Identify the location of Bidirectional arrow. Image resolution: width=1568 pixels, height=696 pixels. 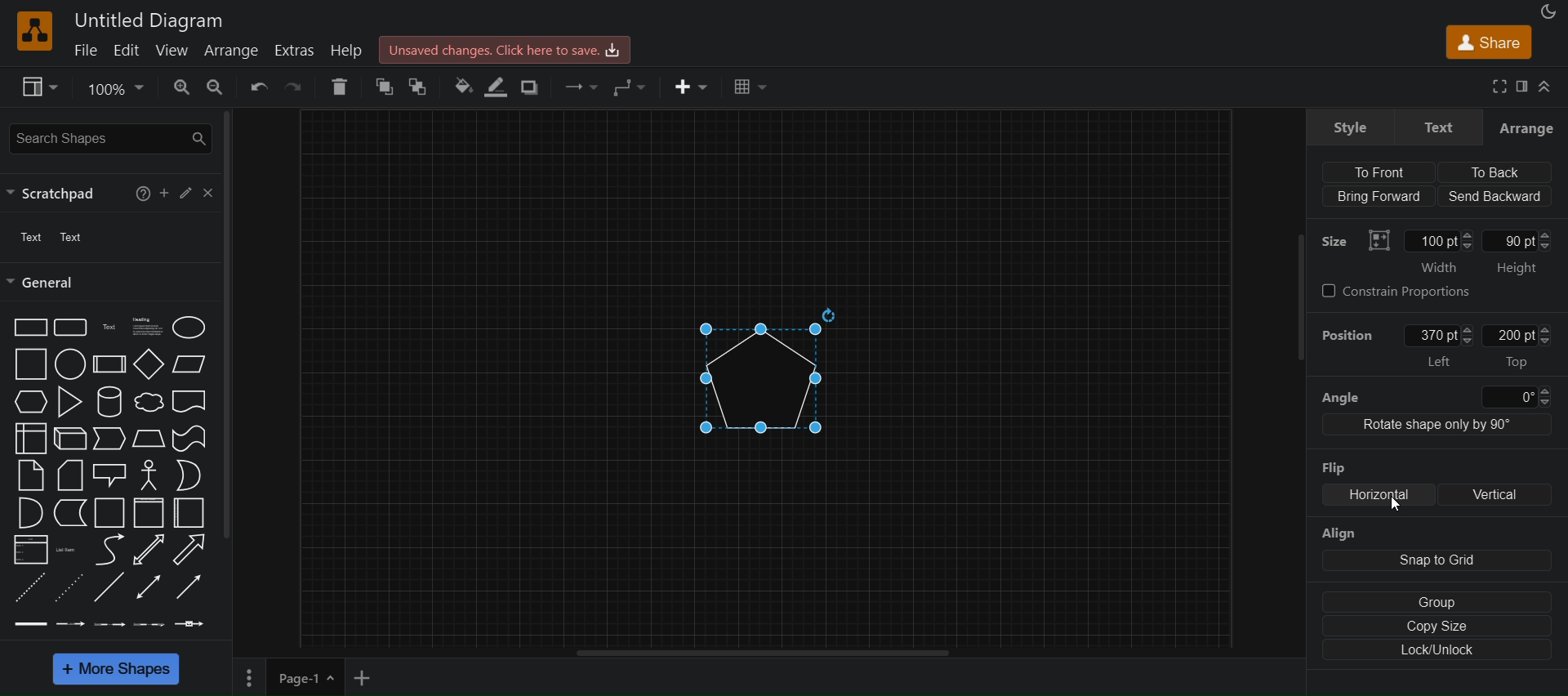
(148, 550).